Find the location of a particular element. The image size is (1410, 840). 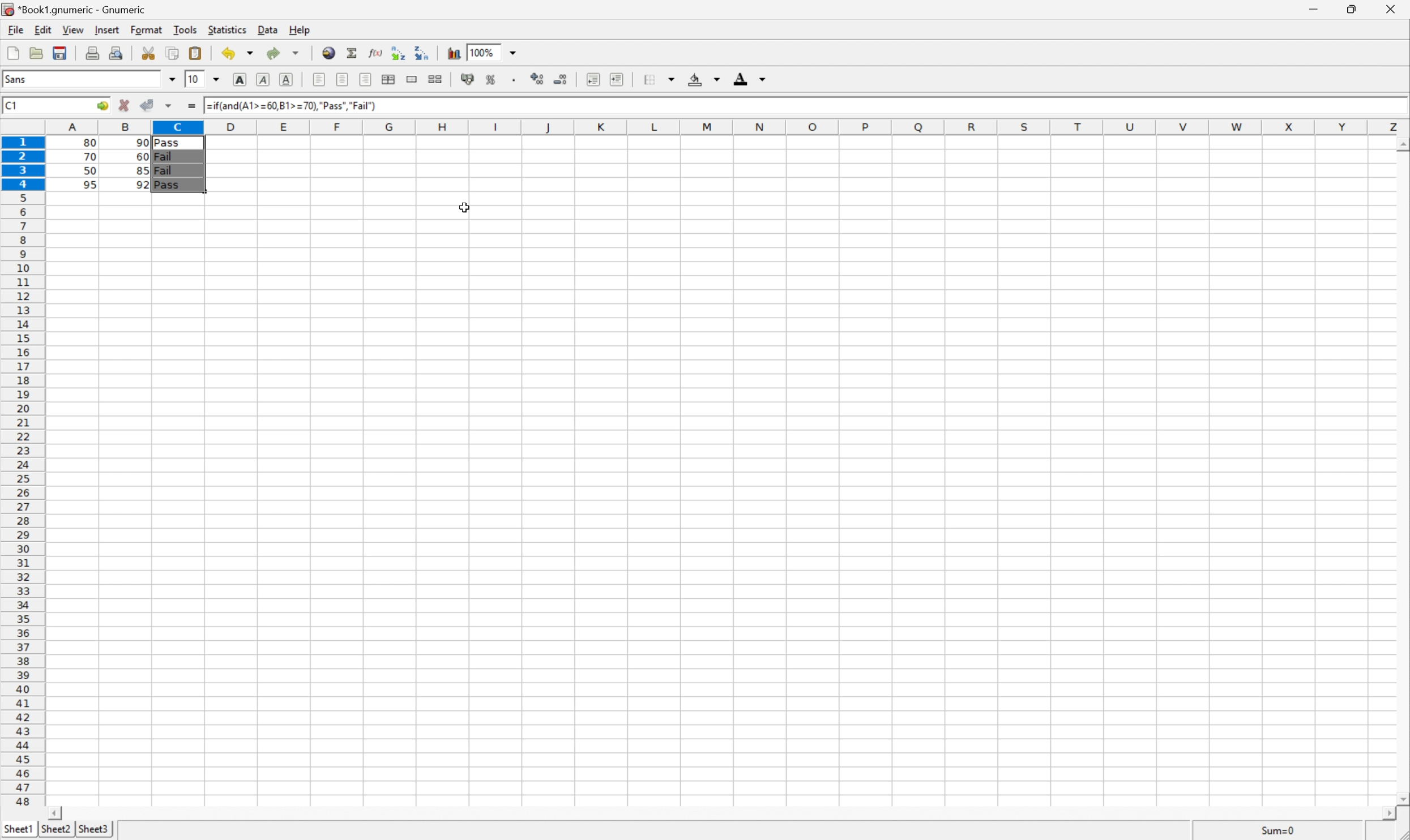

Sans is located at coordinates (17, 78).